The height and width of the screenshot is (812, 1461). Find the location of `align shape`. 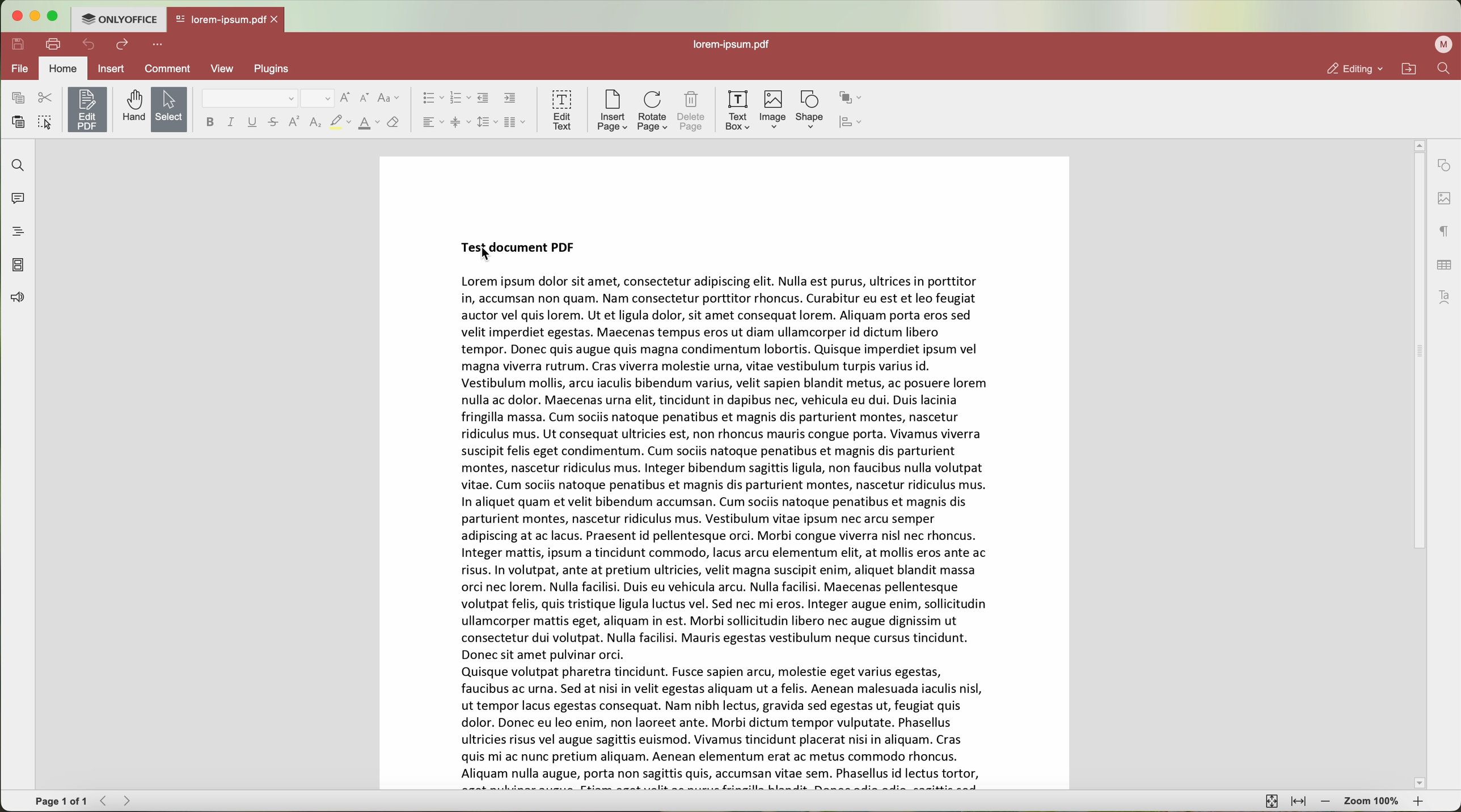

align shape is located at coordinates (852, 124).